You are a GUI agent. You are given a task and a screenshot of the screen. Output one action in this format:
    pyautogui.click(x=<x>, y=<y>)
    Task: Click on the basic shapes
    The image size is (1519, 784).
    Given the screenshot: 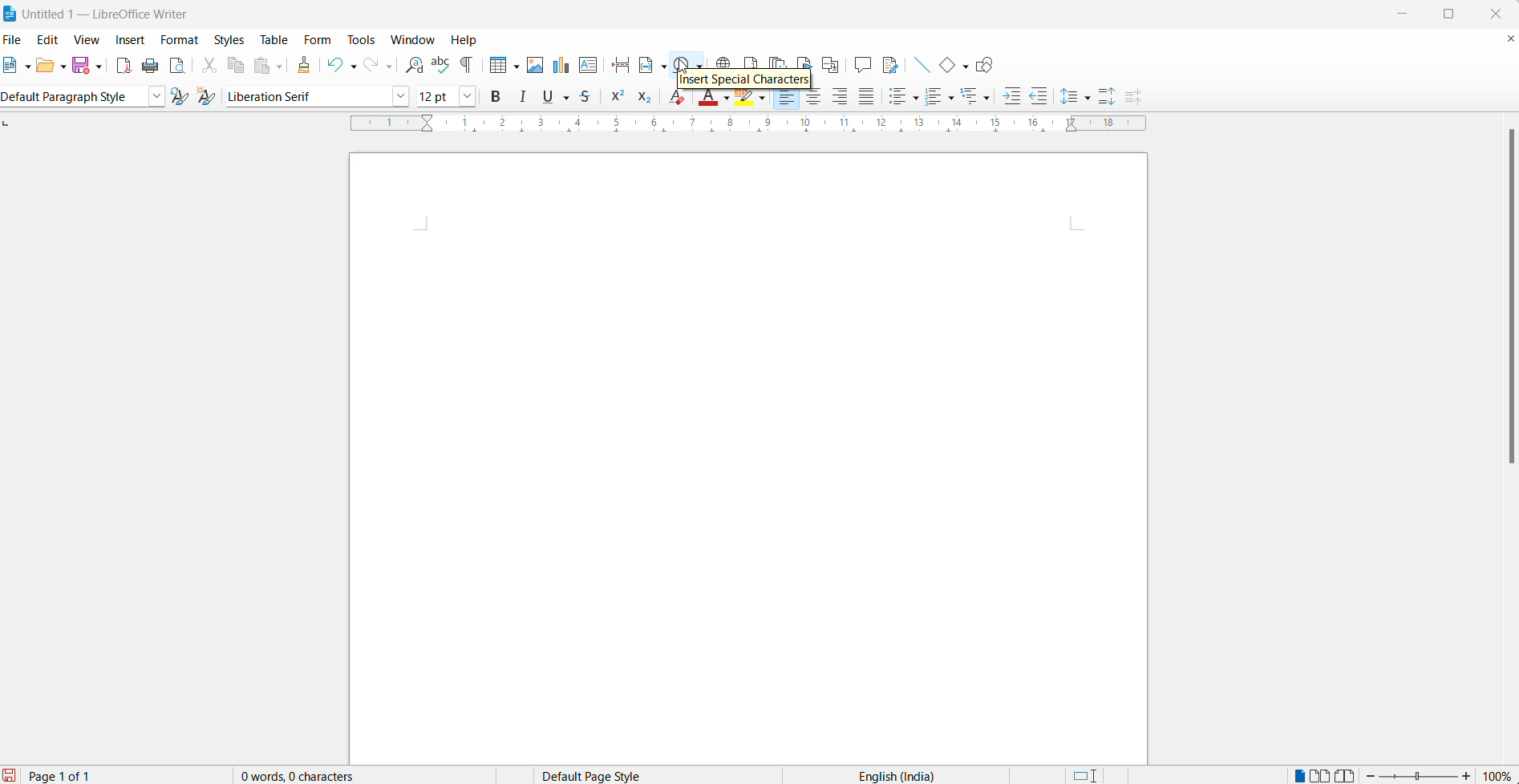 What is the action you would take?
    pyautogui.click(x=946, y=66)
    